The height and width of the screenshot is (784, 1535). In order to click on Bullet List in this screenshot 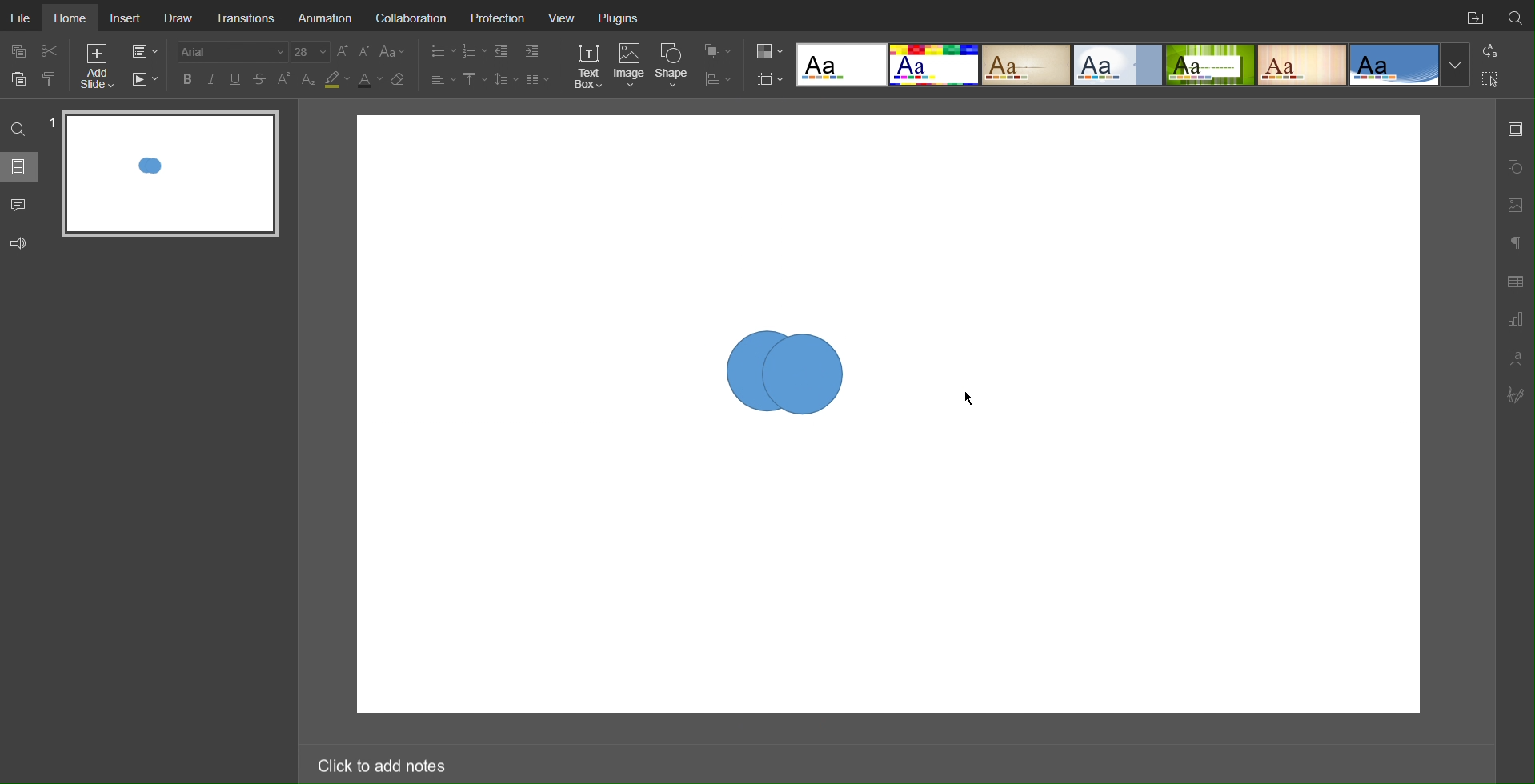, I will do `click(439, 51)`.